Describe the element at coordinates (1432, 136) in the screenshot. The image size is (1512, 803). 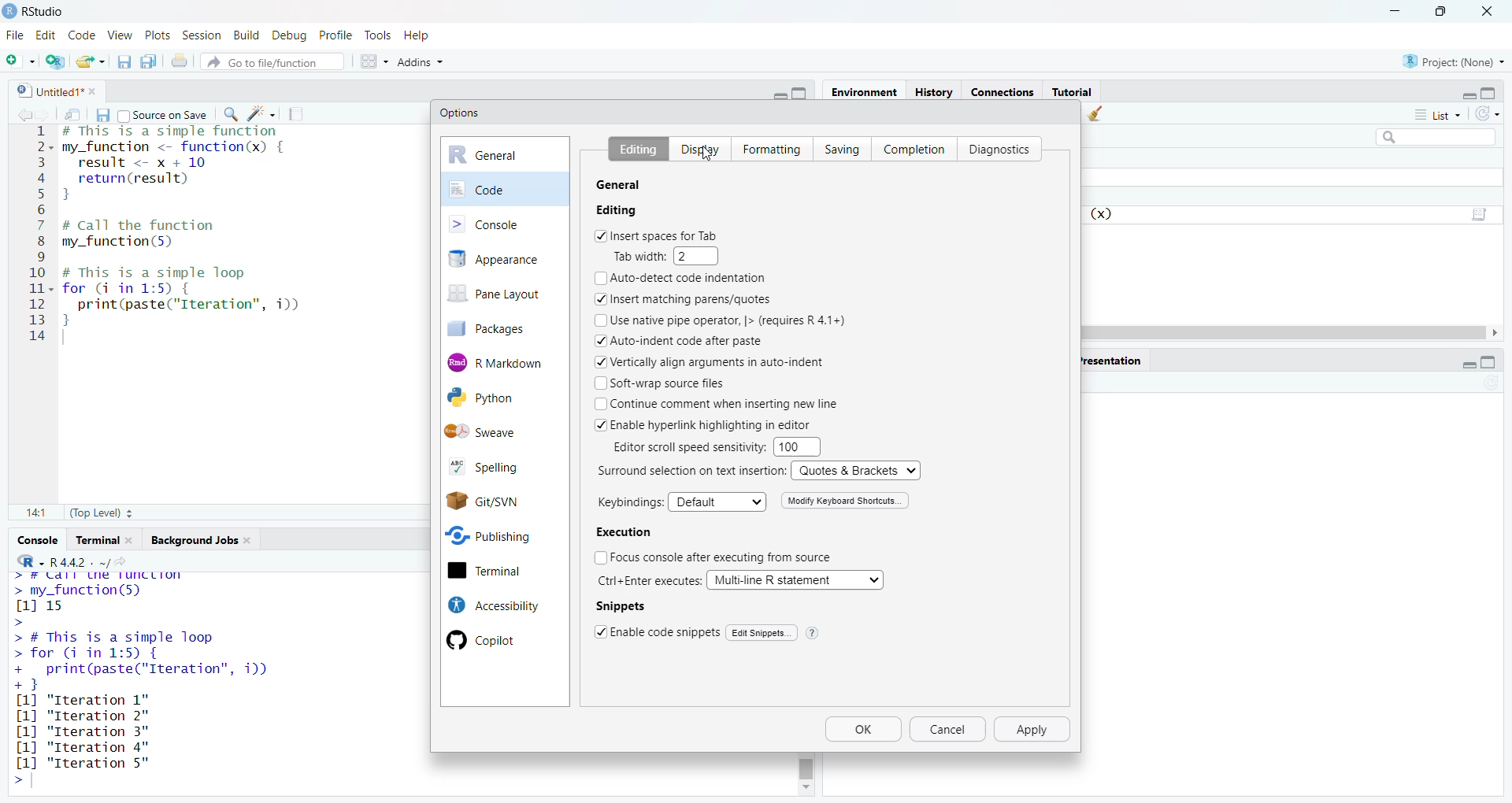
I see `search field` at that location.